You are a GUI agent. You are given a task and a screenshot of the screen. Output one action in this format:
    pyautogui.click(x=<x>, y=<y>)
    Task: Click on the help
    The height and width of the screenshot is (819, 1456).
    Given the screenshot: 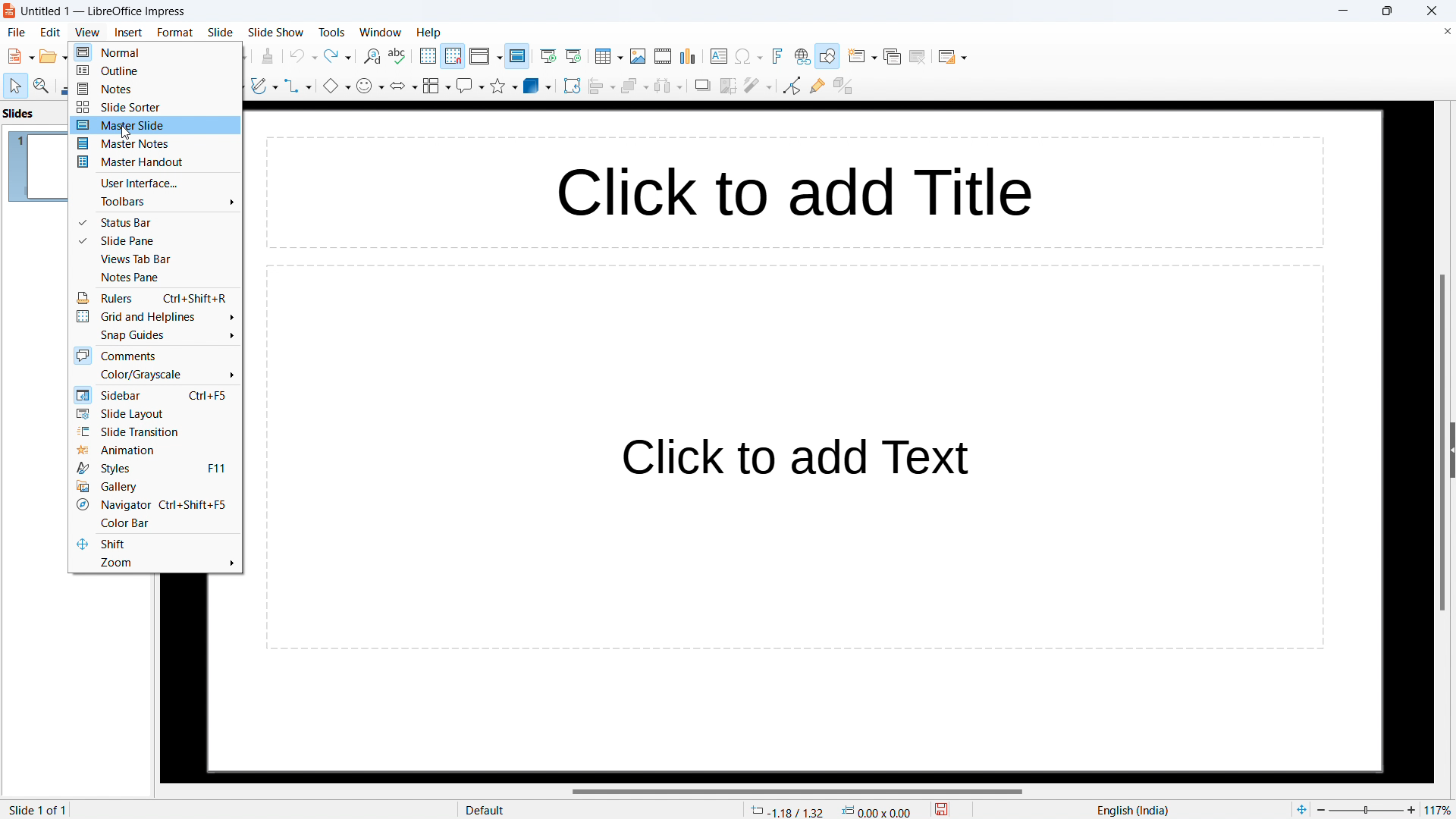 What is the action you would take?
    pyautogui.click(x=428, y=33)
    